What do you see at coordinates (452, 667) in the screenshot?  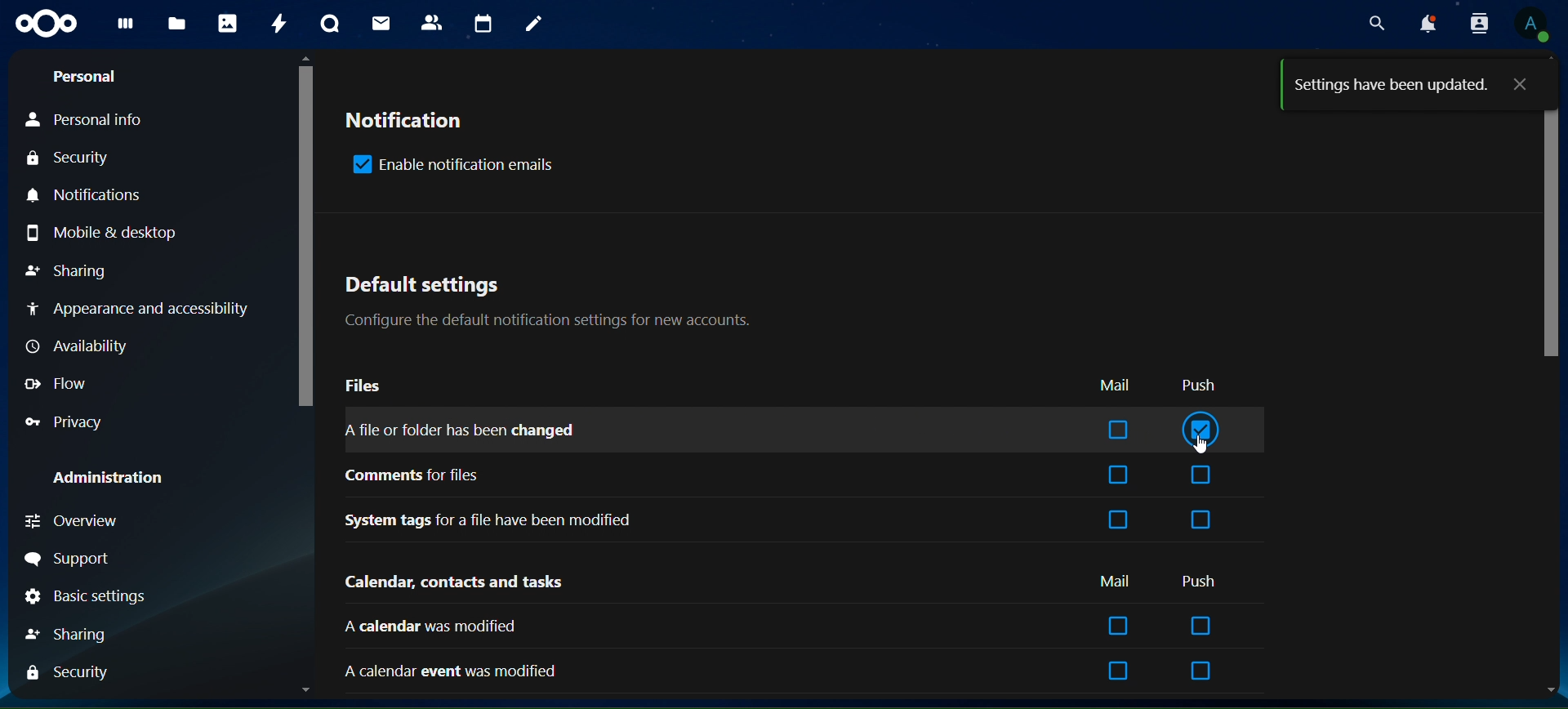 I see `a calendar event was modified` at bounding box center [452, 667].